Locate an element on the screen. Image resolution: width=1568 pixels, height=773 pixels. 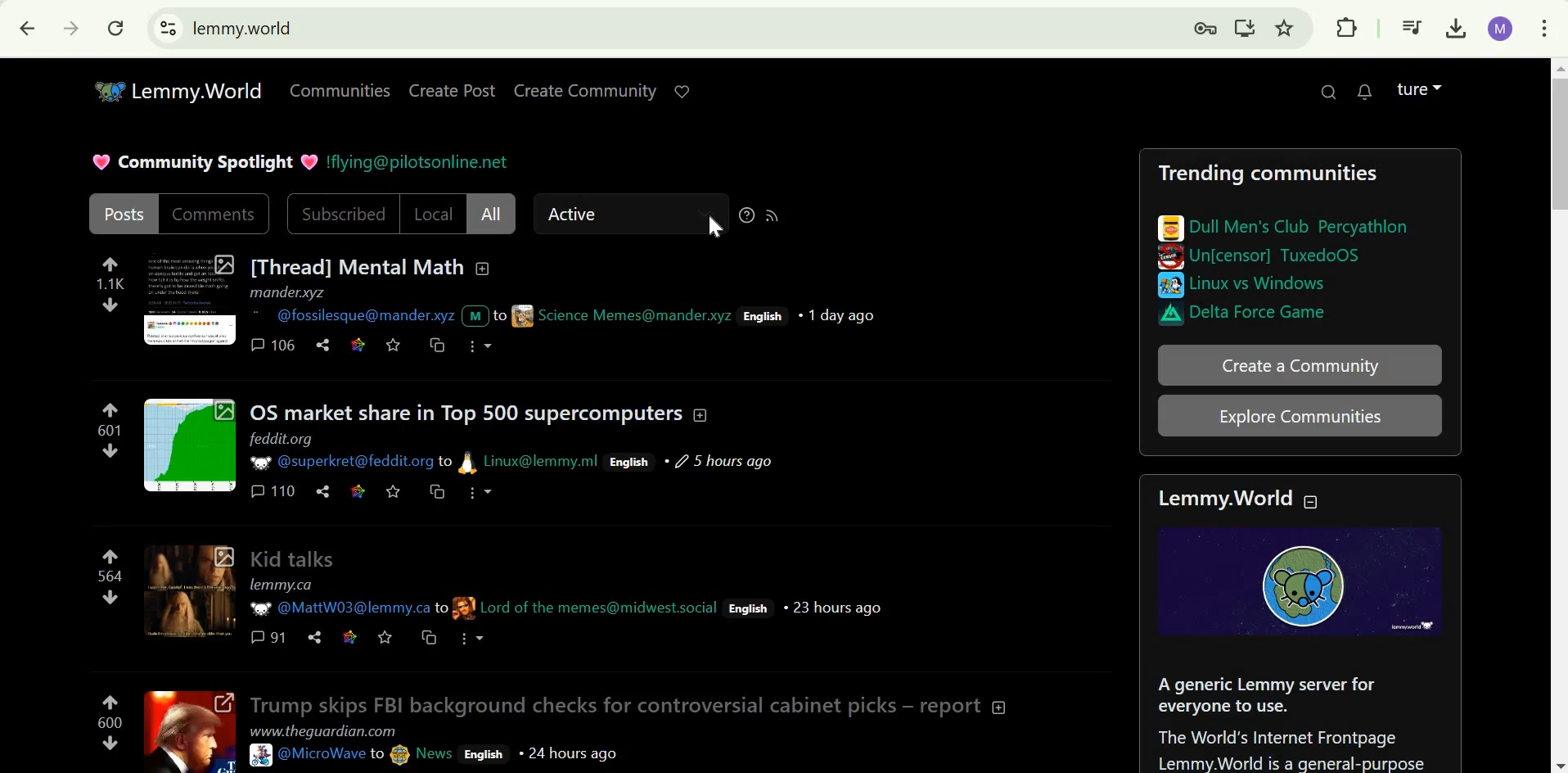
@MattW03@lemmy.ca to is located at coordinates (358, 608).